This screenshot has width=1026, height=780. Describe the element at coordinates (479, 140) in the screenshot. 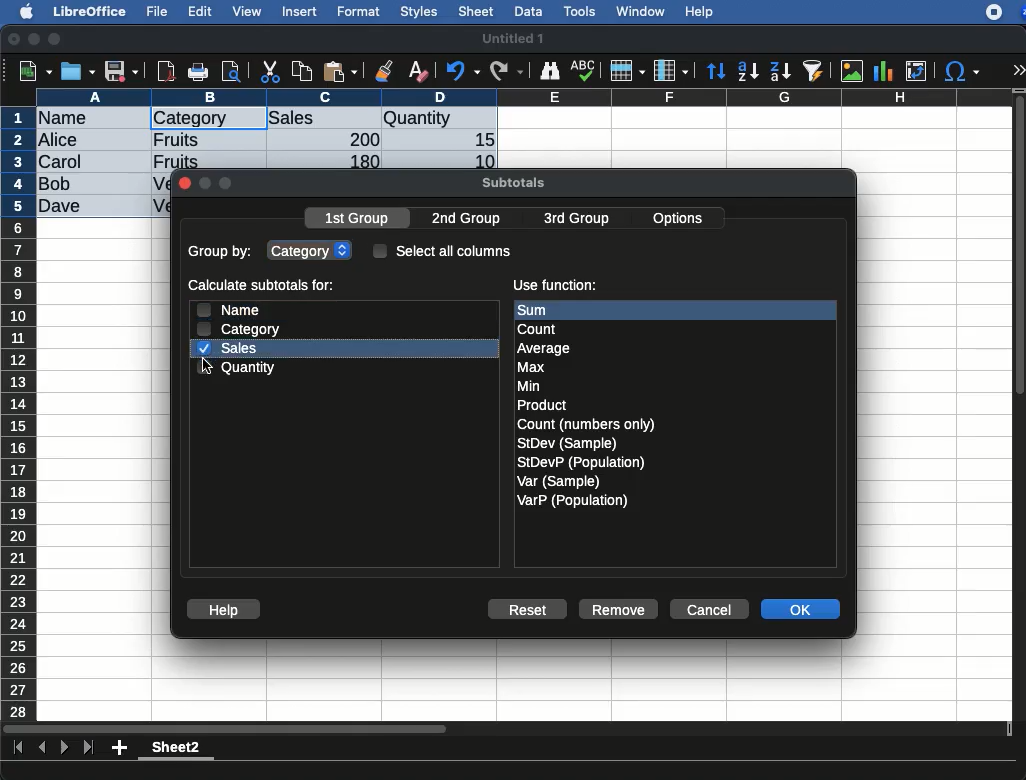

I see `15` at that location.